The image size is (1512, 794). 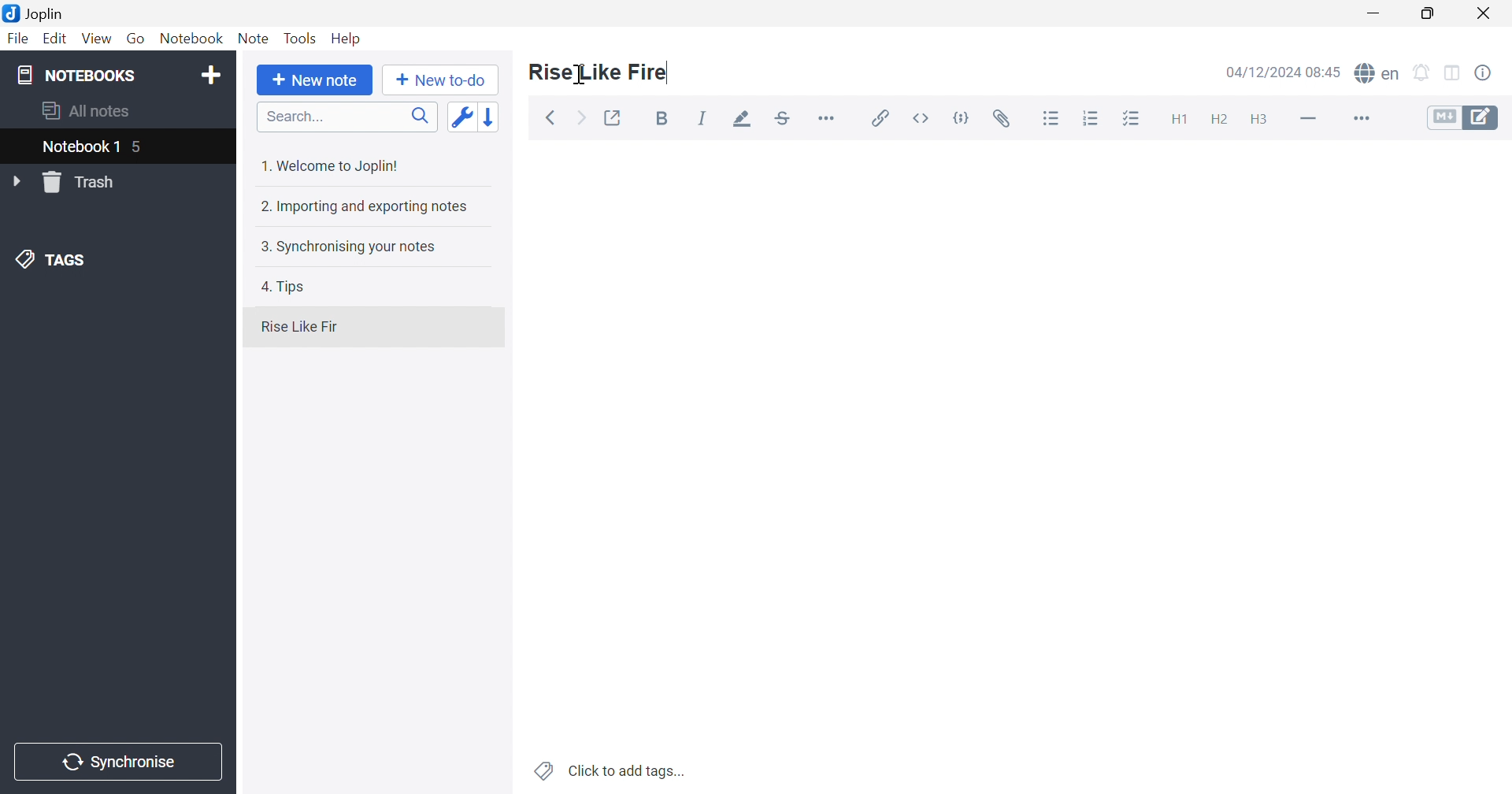 What do you see at coordinates (87, 110) in the screenshot?
I see `All notes` at bounding box center [87, 110].